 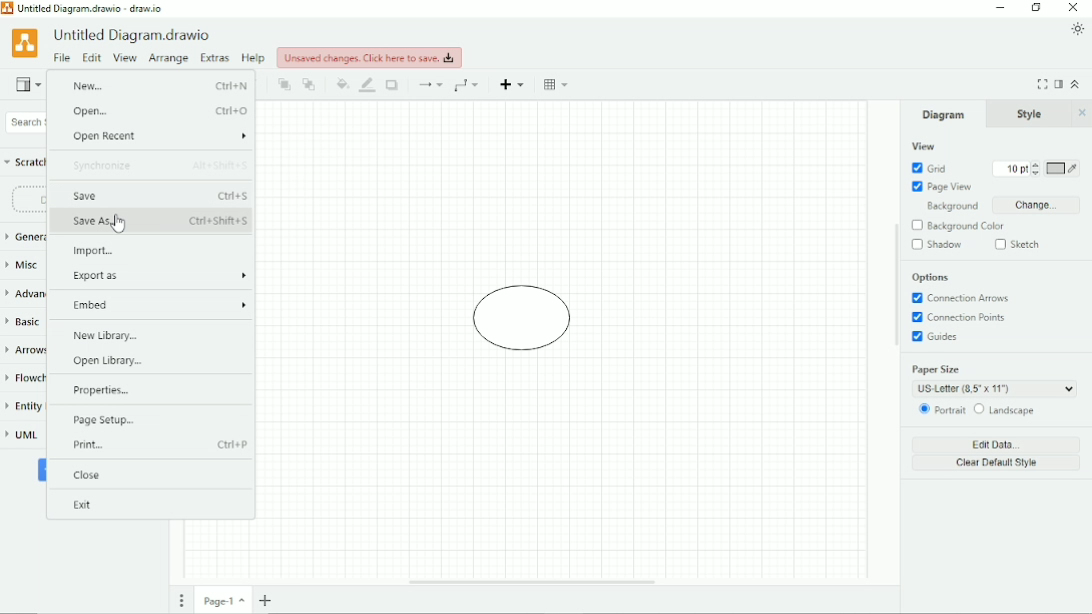 I want to click on View, so click(x=29, y=84).